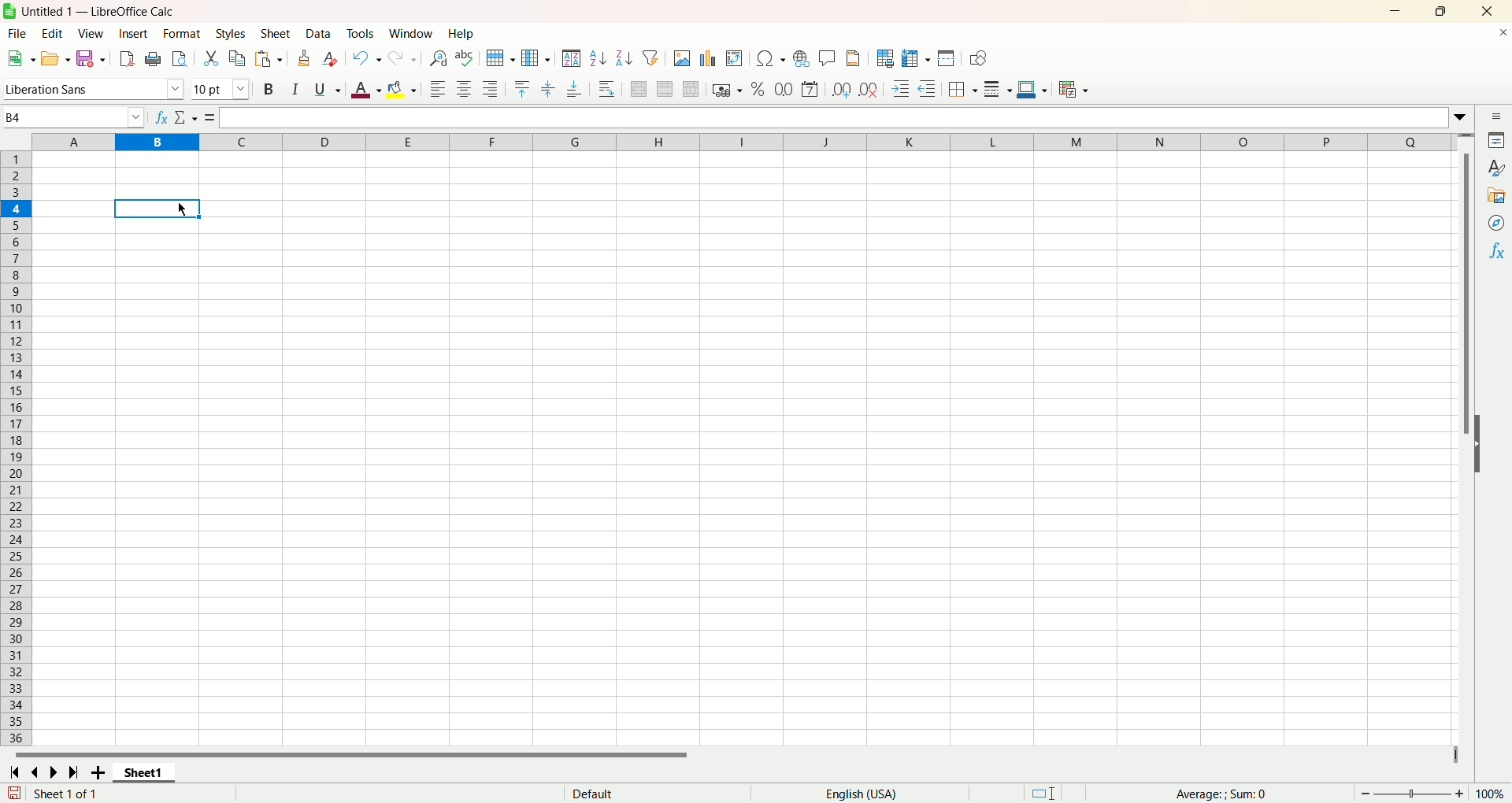  What do you see at coordinates (571, 58) in the screenshot?
I see `sort` at bounding box center [571, 58].